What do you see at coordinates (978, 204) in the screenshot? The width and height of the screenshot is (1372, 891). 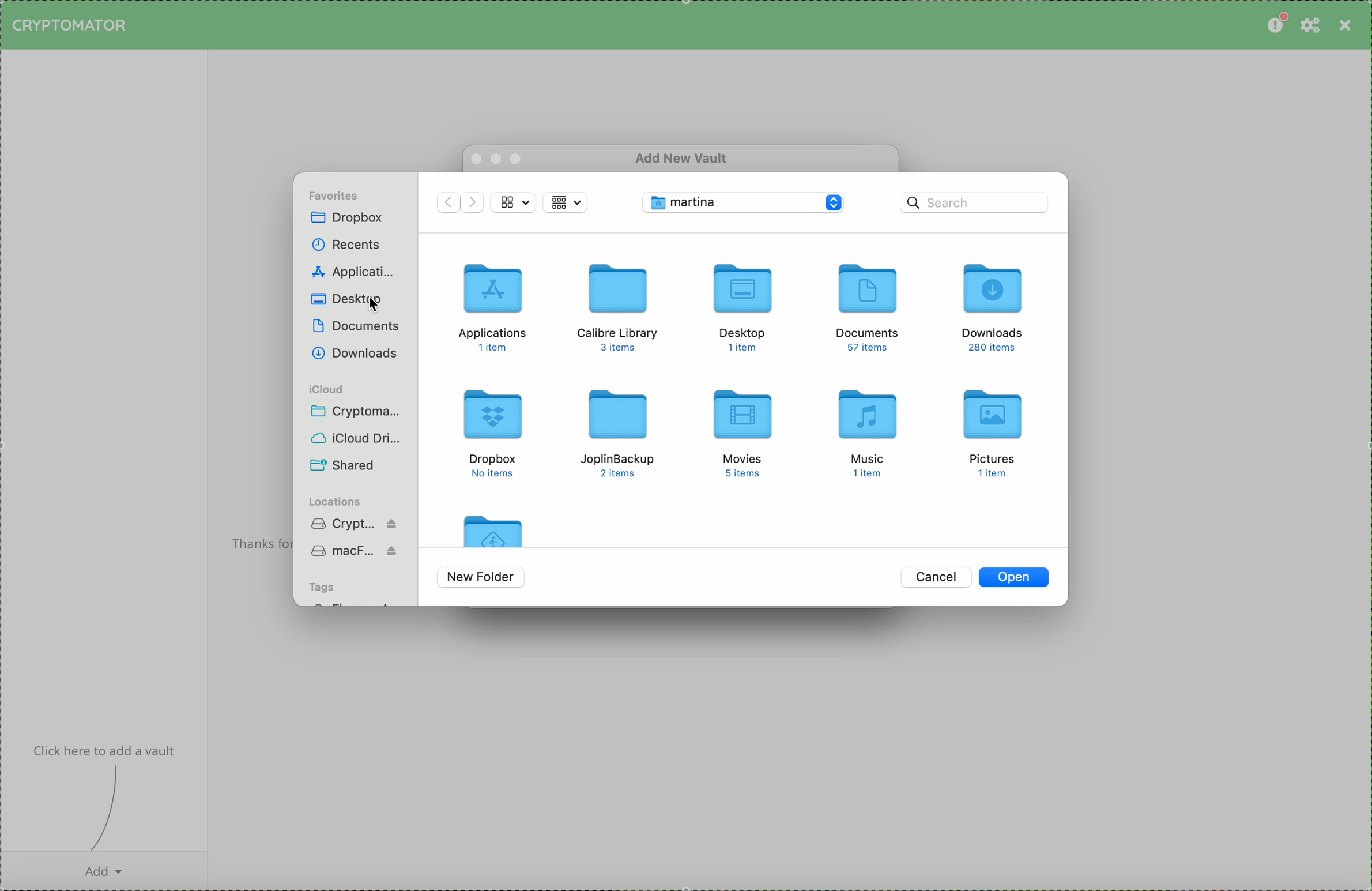 I see `search bar` at bounding box center [978, 204].